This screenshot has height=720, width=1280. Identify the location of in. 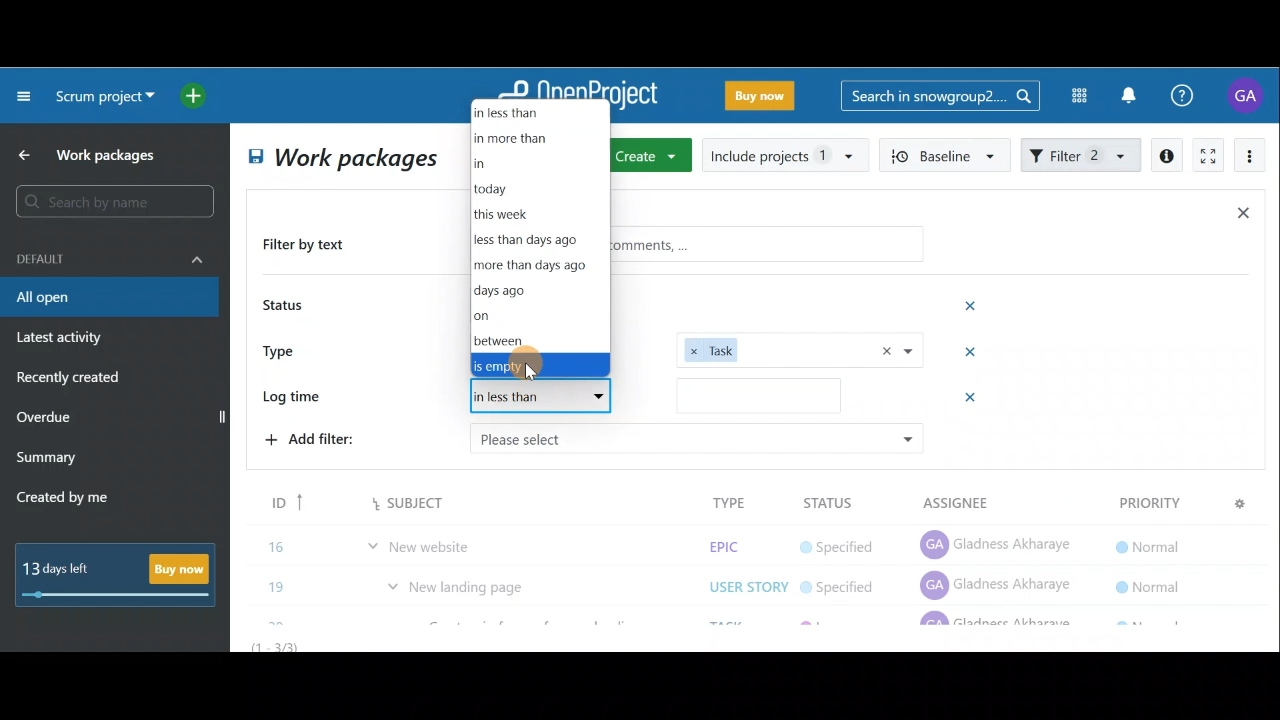
(505, 167).